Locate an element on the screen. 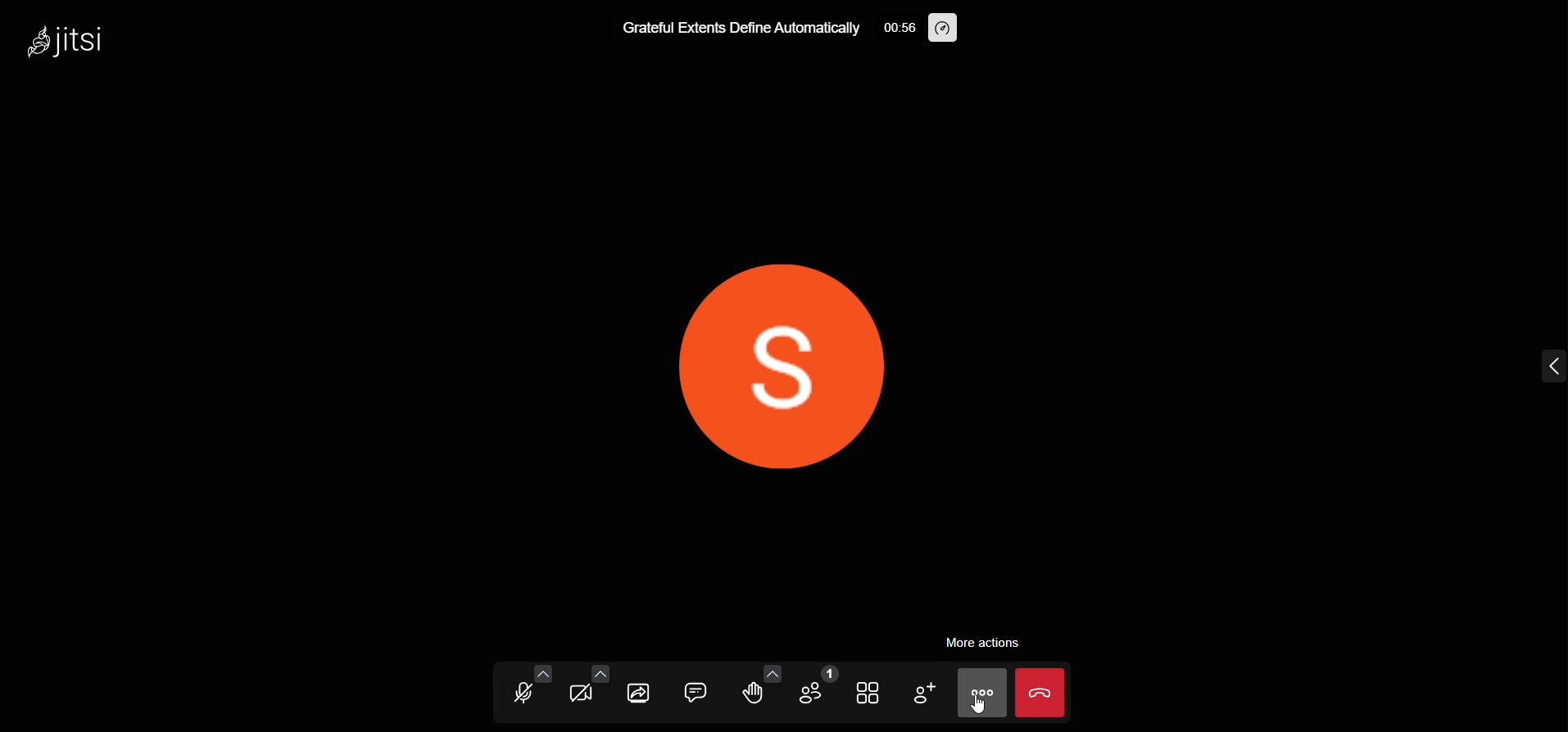 The image size is (1568, 732). leave the meeting is located at coordinates (1042, 692).